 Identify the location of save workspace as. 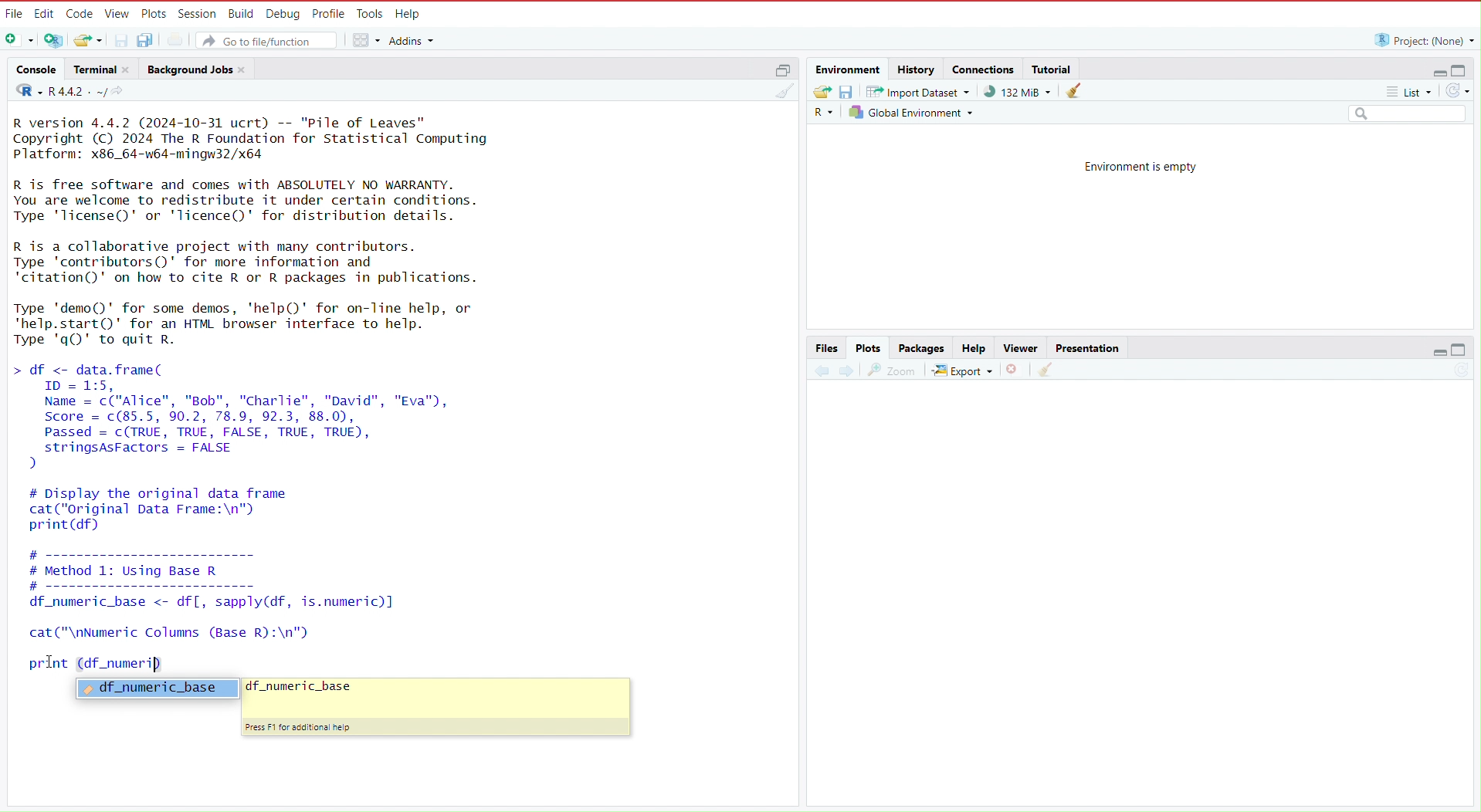
(849, 93).